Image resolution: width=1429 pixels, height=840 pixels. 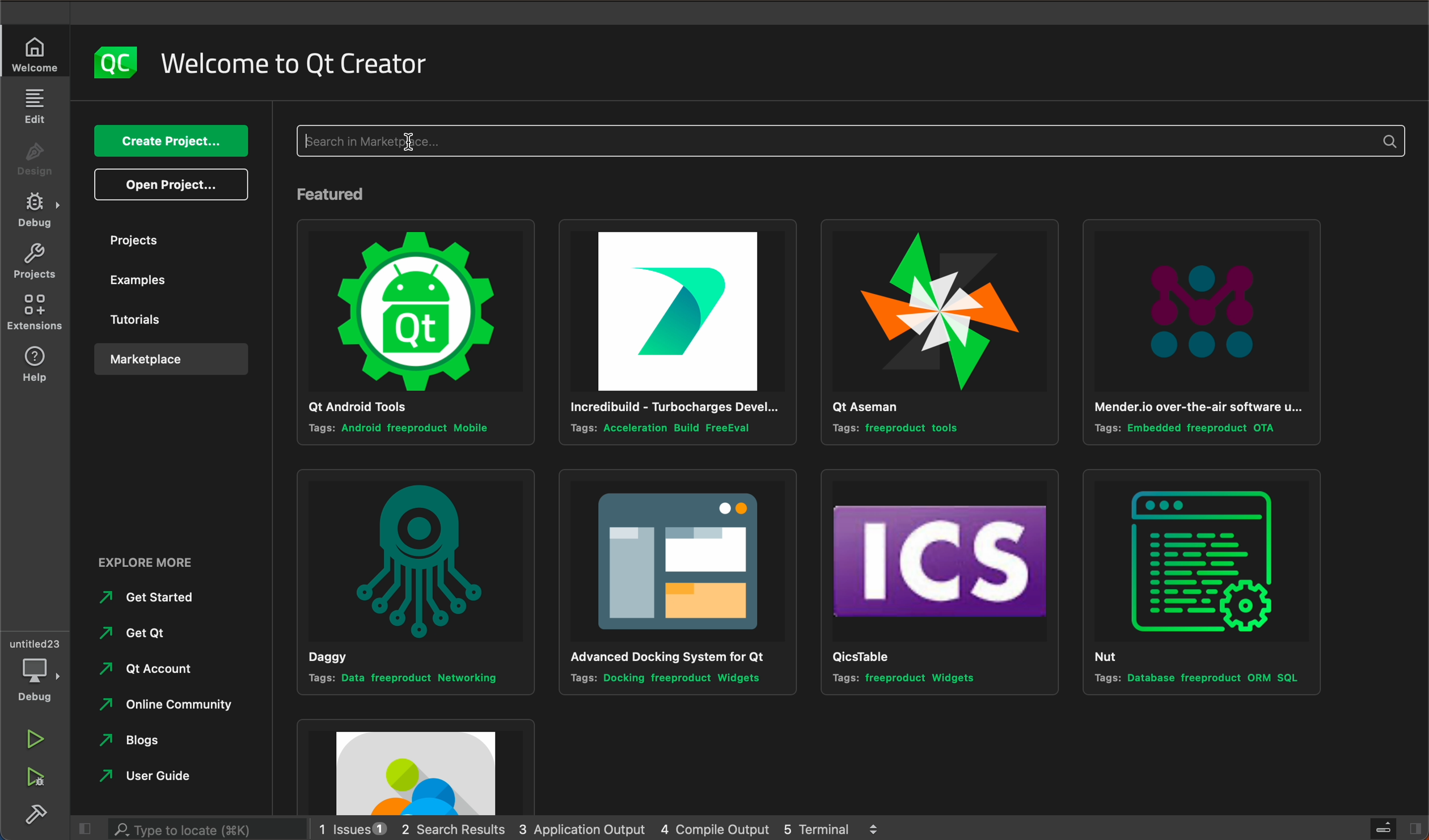 What do you see at coordinates (167, 359) in the screenshot?
I see `marketplace` at bounding box center [167, 359].